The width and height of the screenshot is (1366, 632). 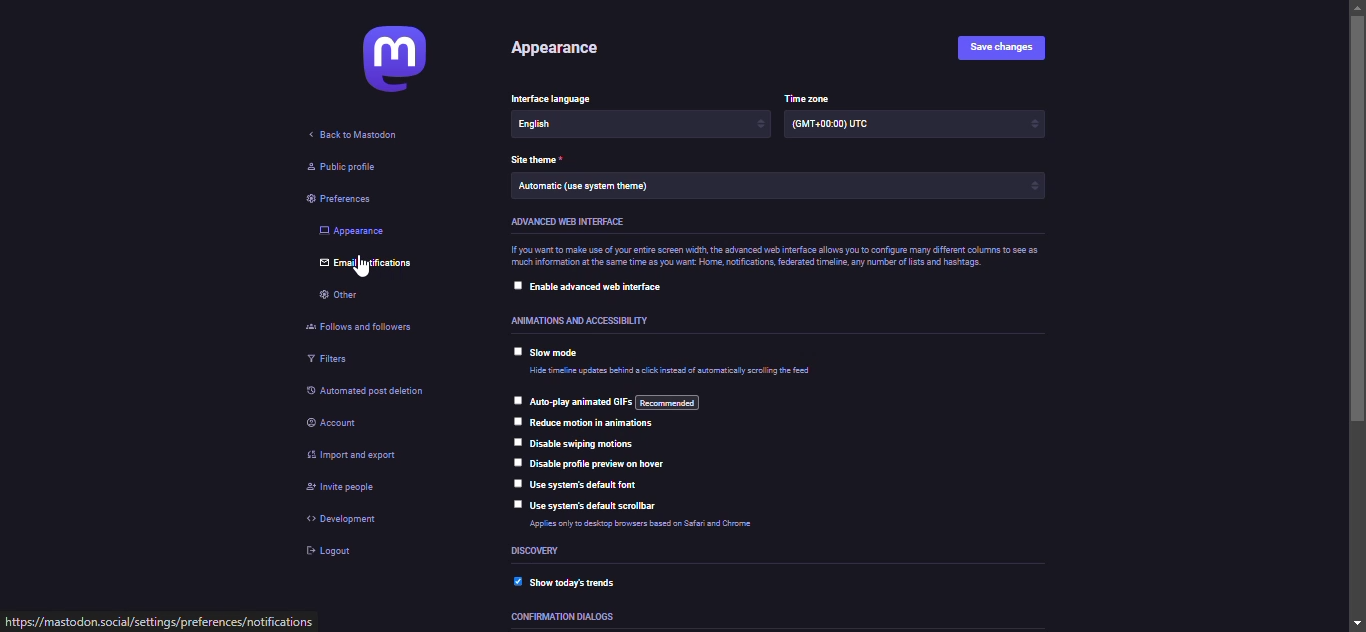 What do you see at coordinates (540, 552) in the screenshot?
I see `discovery` at bounding box center [540, 552].